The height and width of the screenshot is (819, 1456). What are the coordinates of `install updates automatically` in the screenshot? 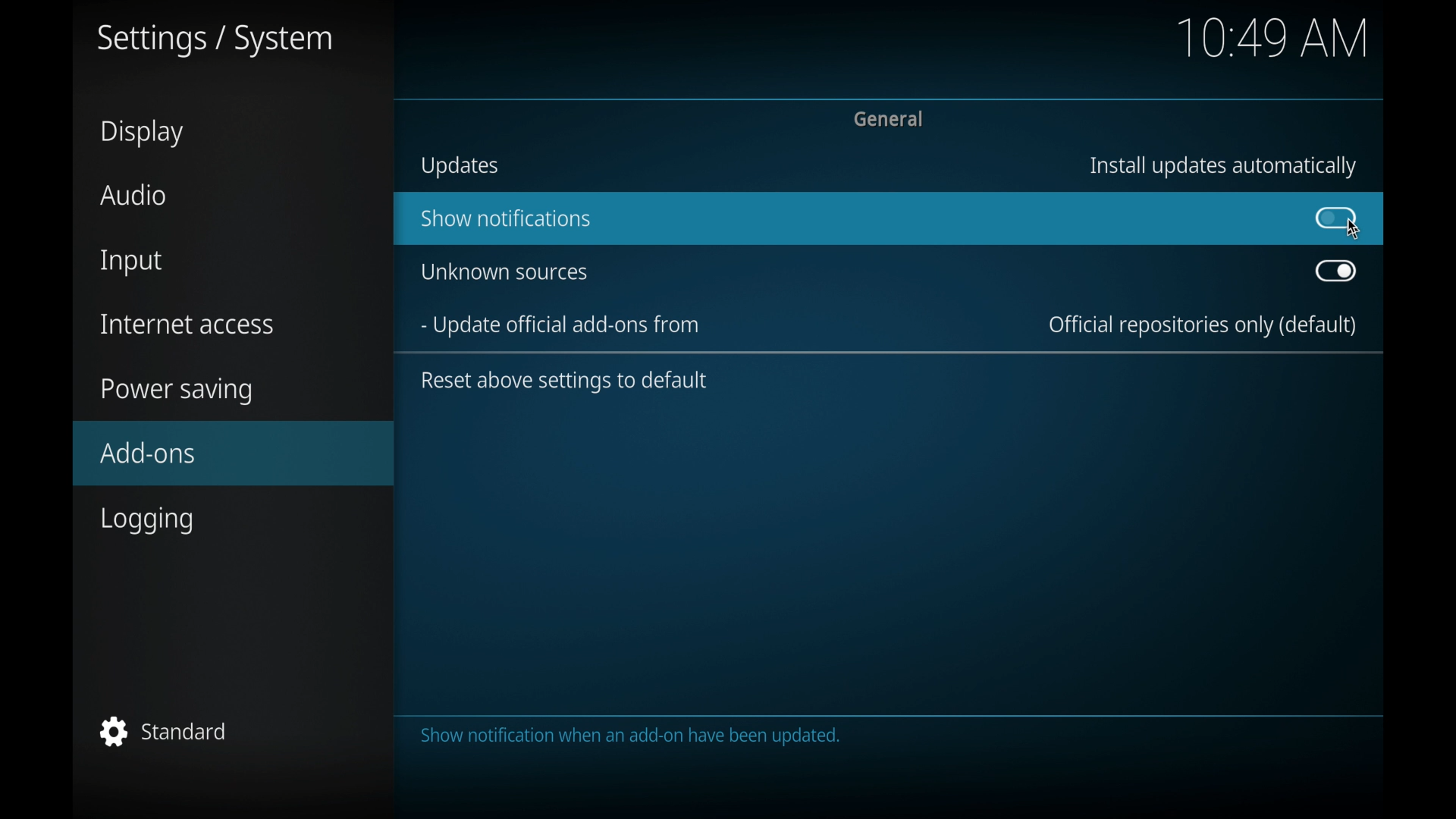 It's located at (1223, 168).